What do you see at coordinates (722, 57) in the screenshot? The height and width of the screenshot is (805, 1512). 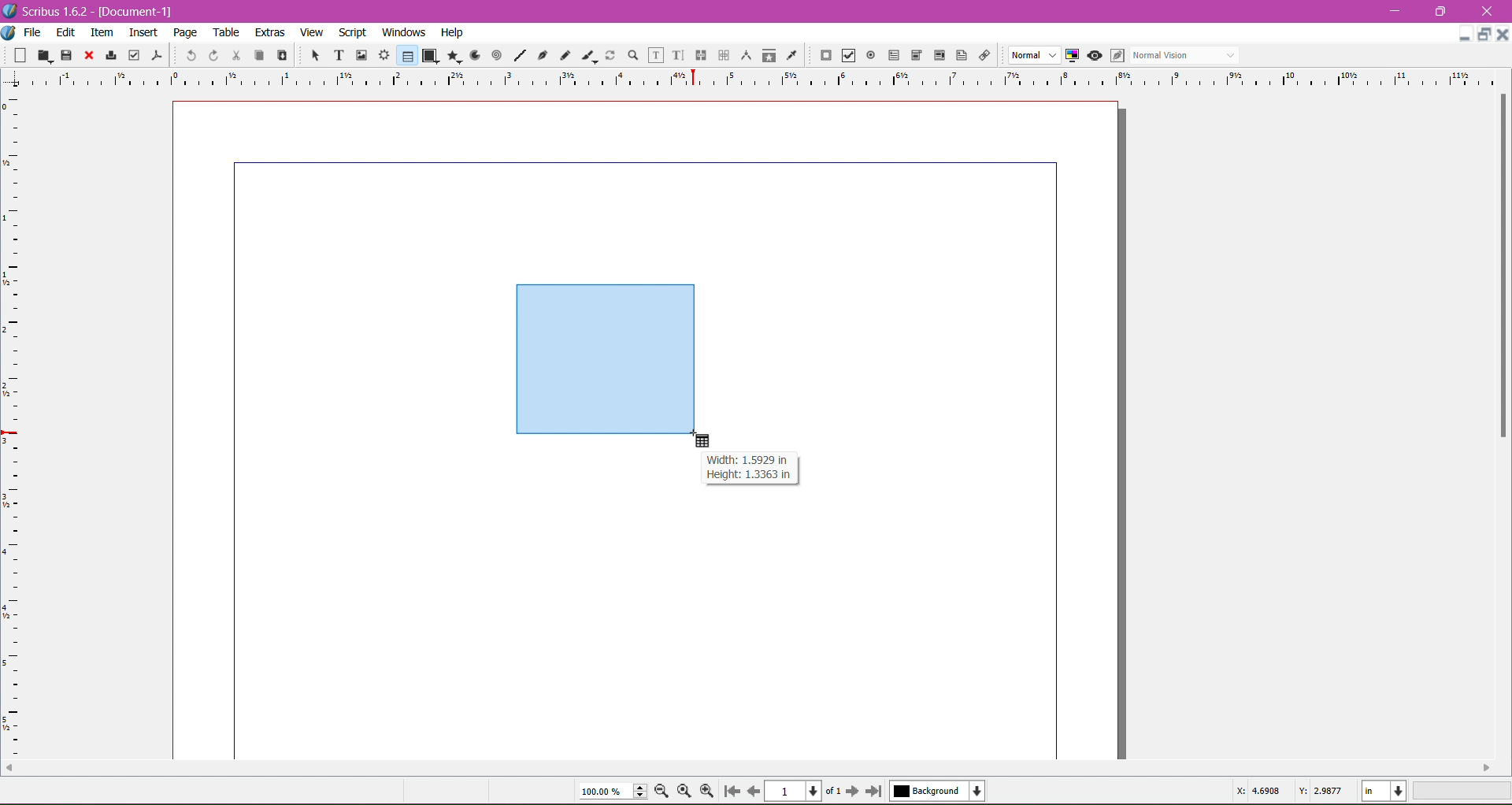 I see `Unlink Text Frames` at bounding box center [722, 57].